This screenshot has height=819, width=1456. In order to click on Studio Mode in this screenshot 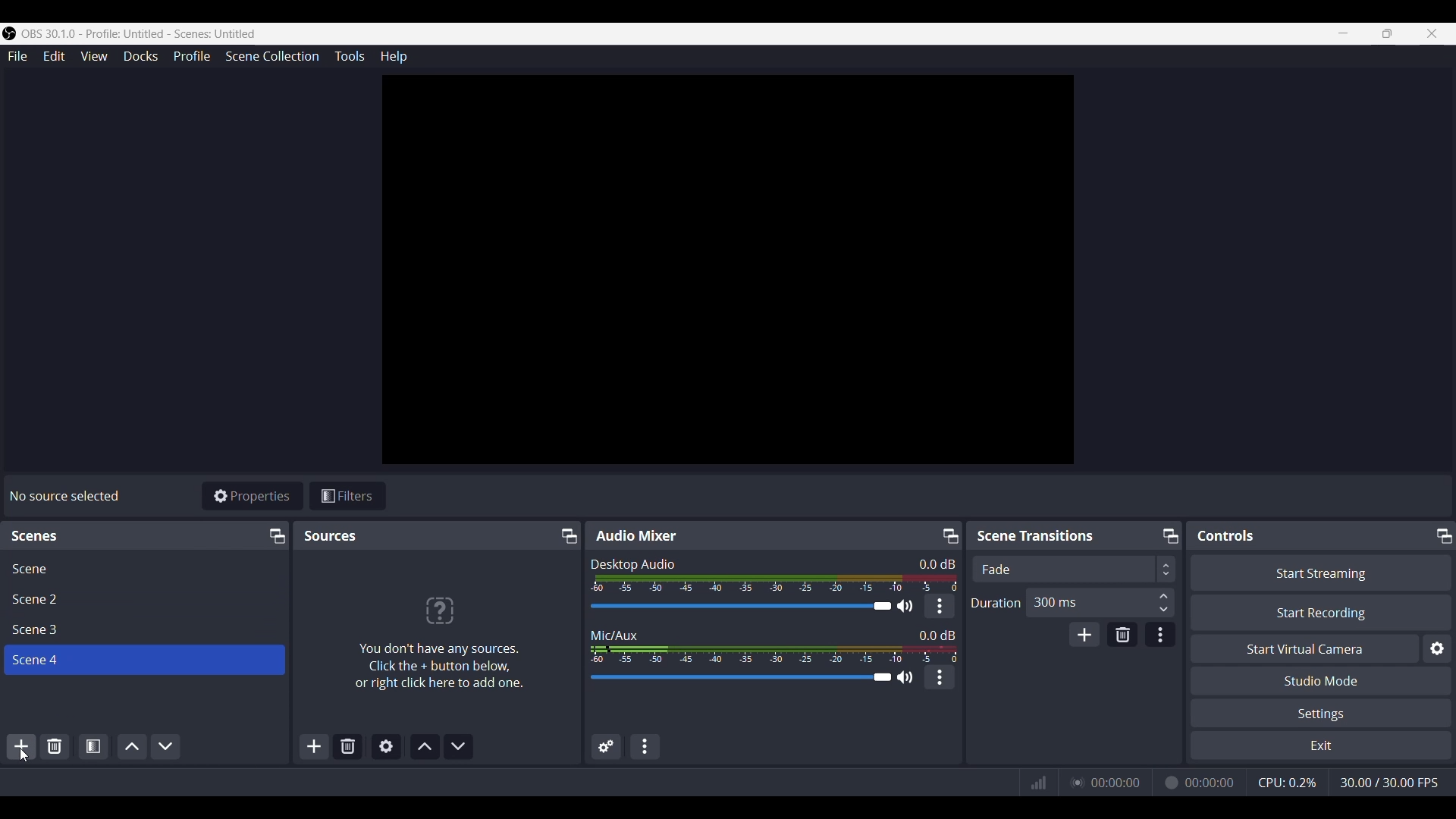, I will do `click(1323, 680)`.